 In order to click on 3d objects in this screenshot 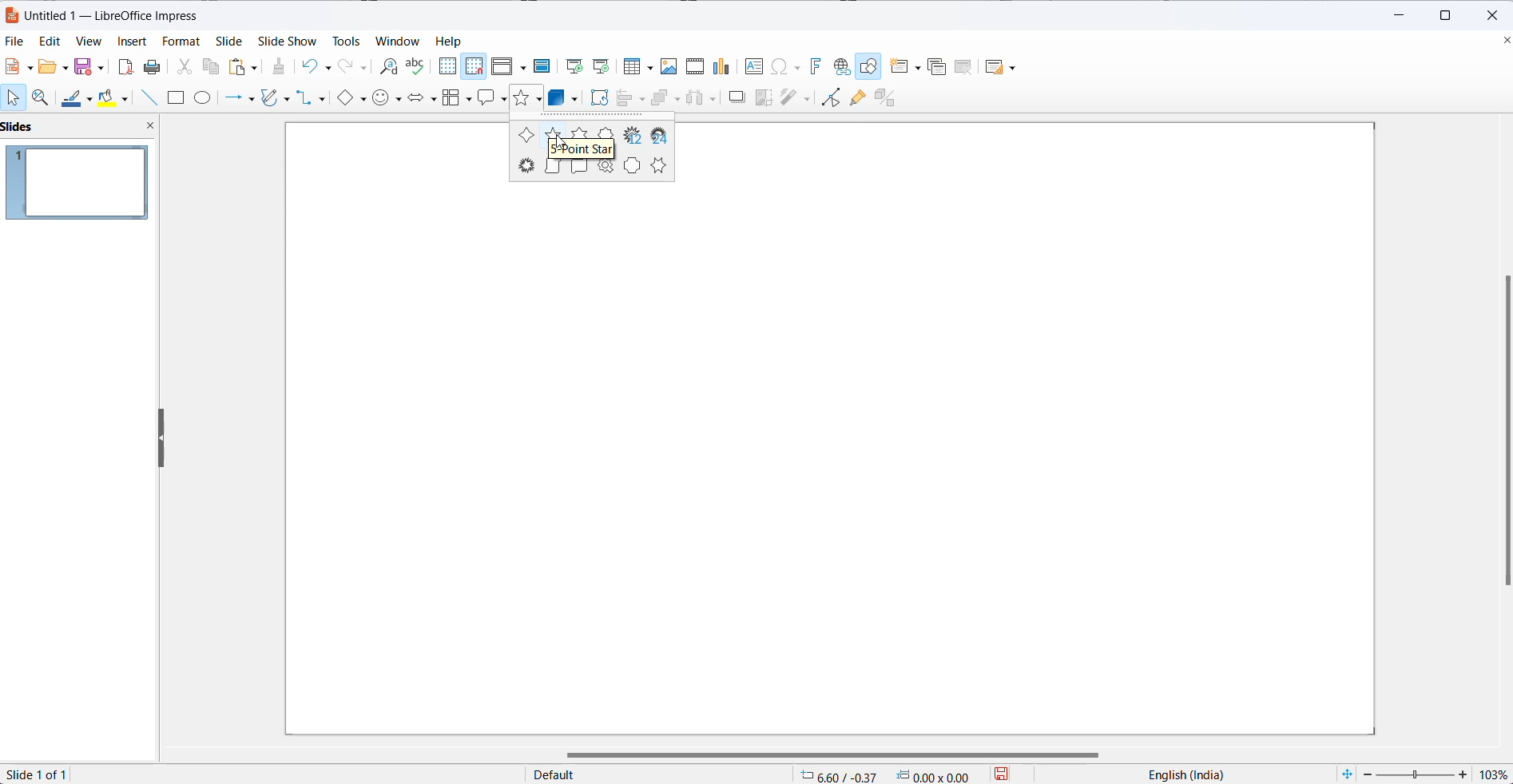, I will do `click(565, 98)`.